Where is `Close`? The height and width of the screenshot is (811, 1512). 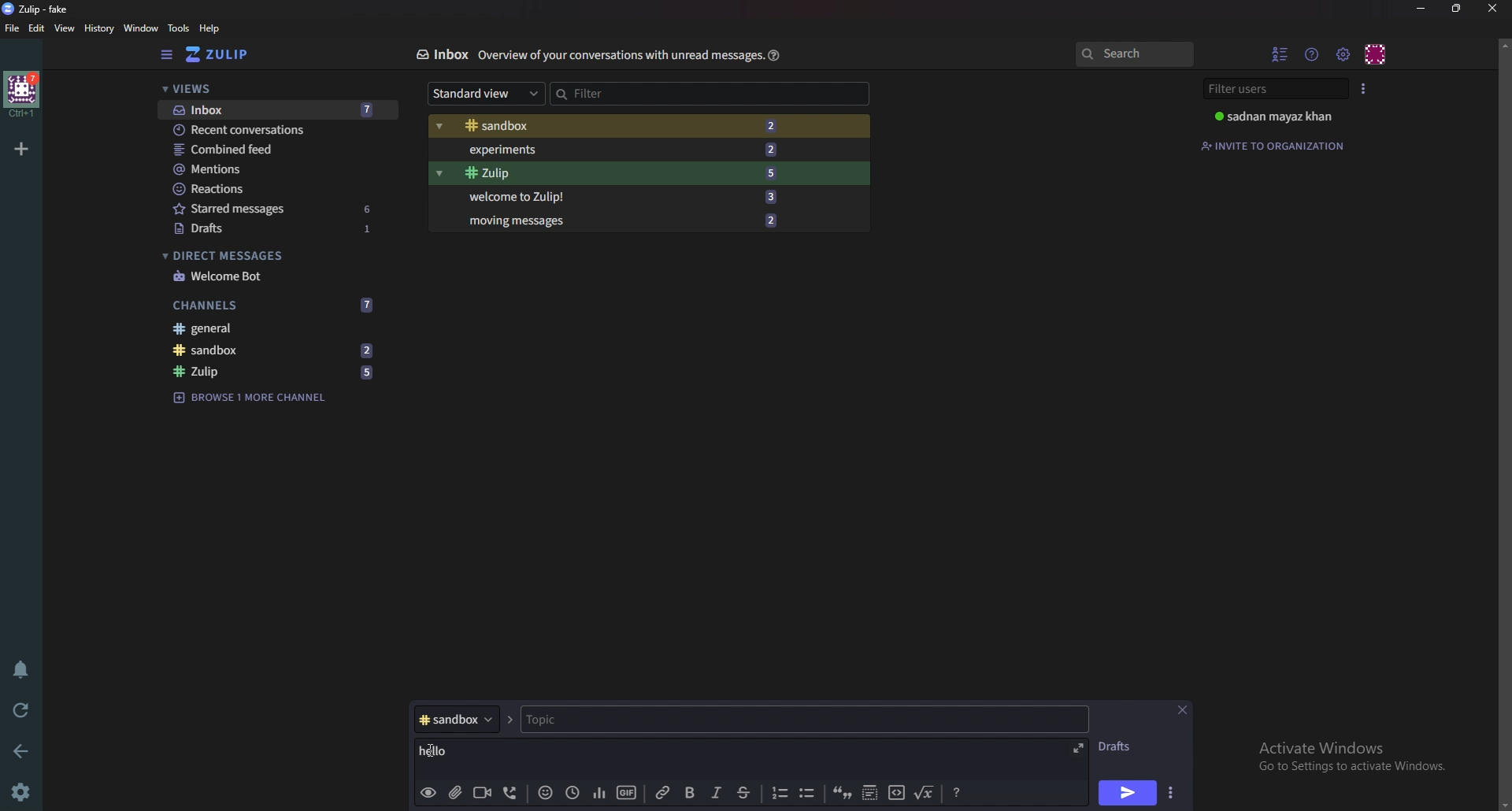
Close is located at coordinates (1489, 9).